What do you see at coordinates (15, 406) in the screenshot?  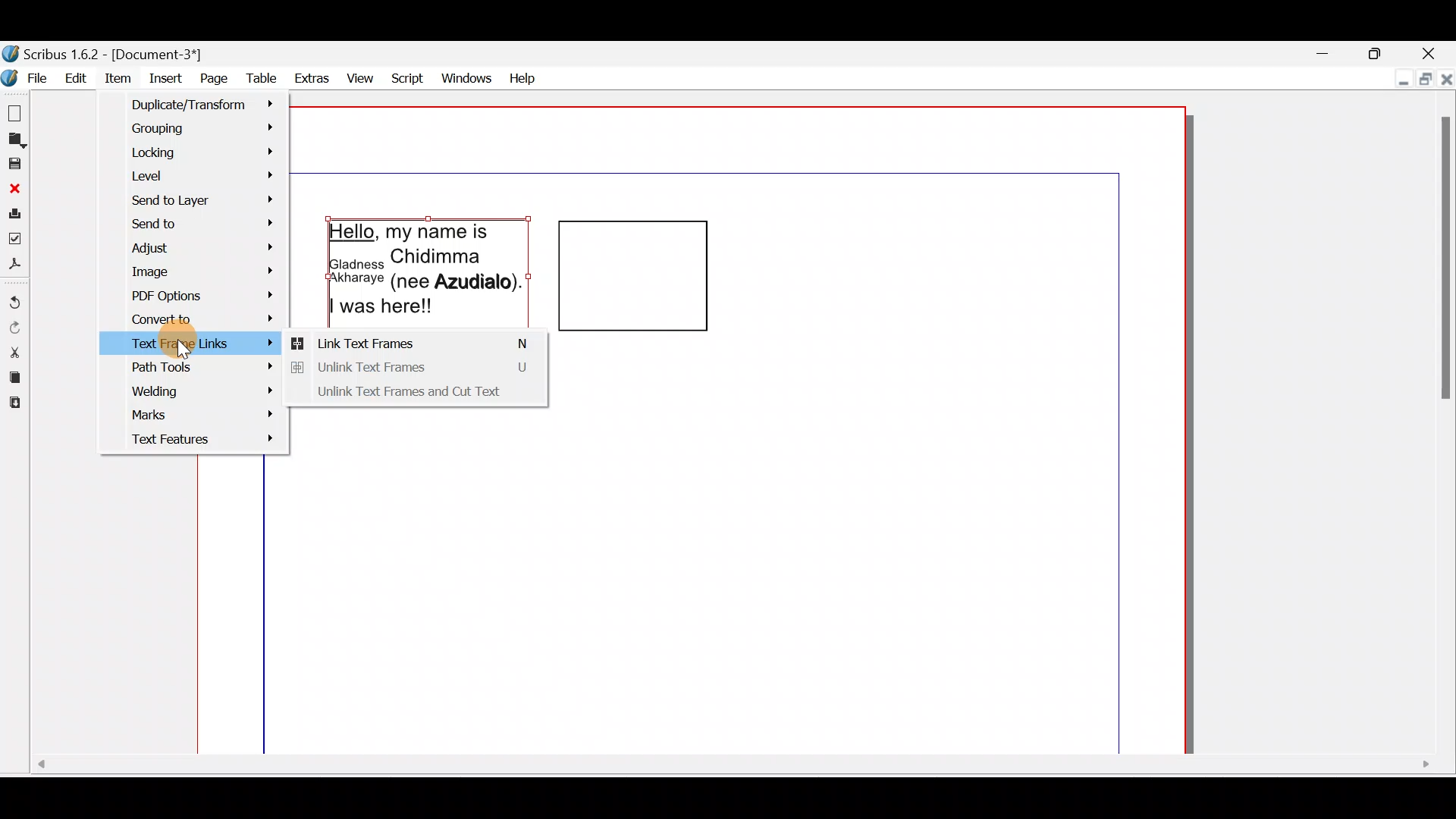 I see `Paste` at bounding box center [15, 406].